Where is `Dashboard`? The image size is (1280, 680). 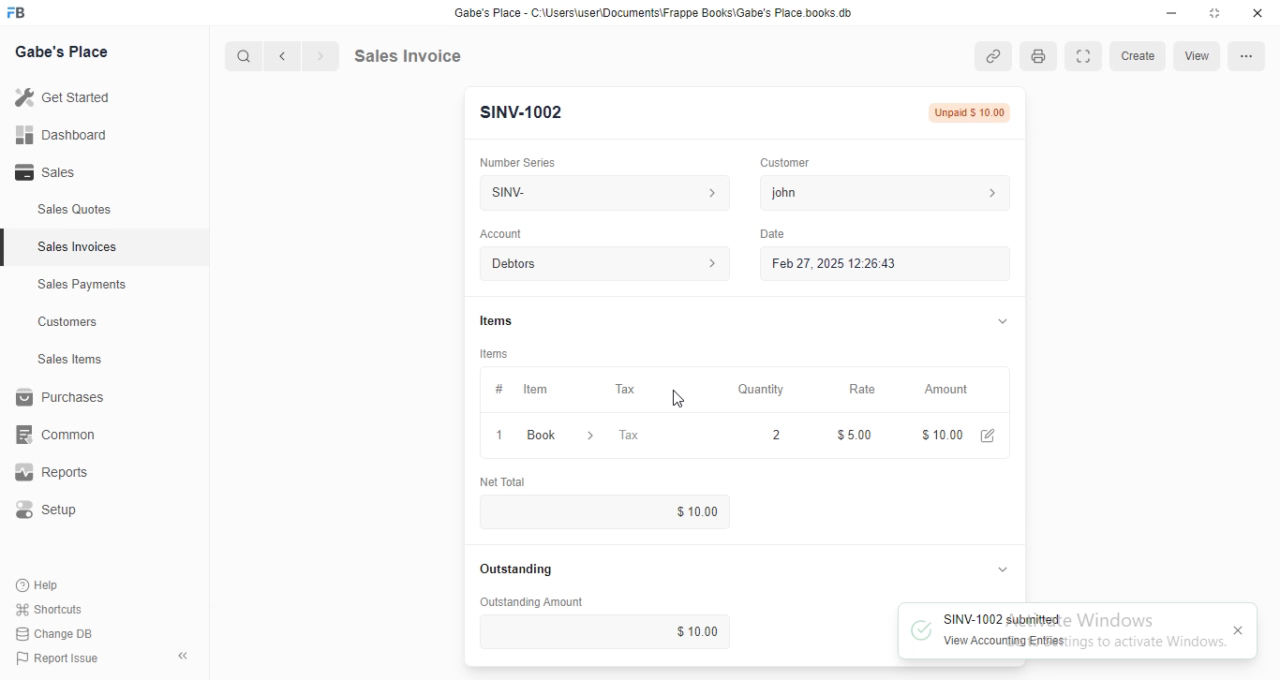 Dashboard is located at coordinates (61, 135).